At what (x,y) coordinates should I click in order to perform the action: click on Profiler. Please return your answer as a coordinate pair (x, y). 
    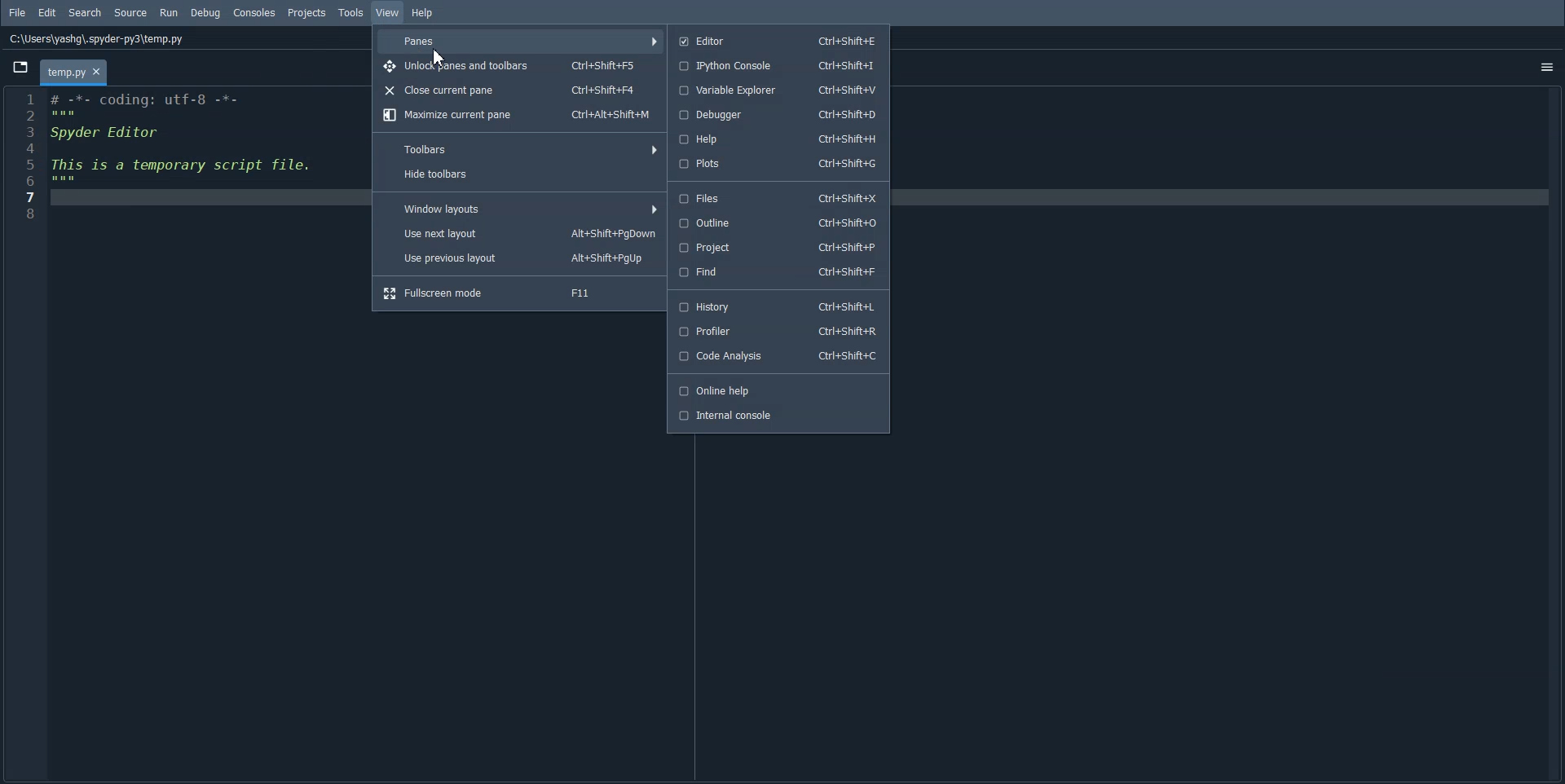
    Looking at the image, I should click on (779, 331).